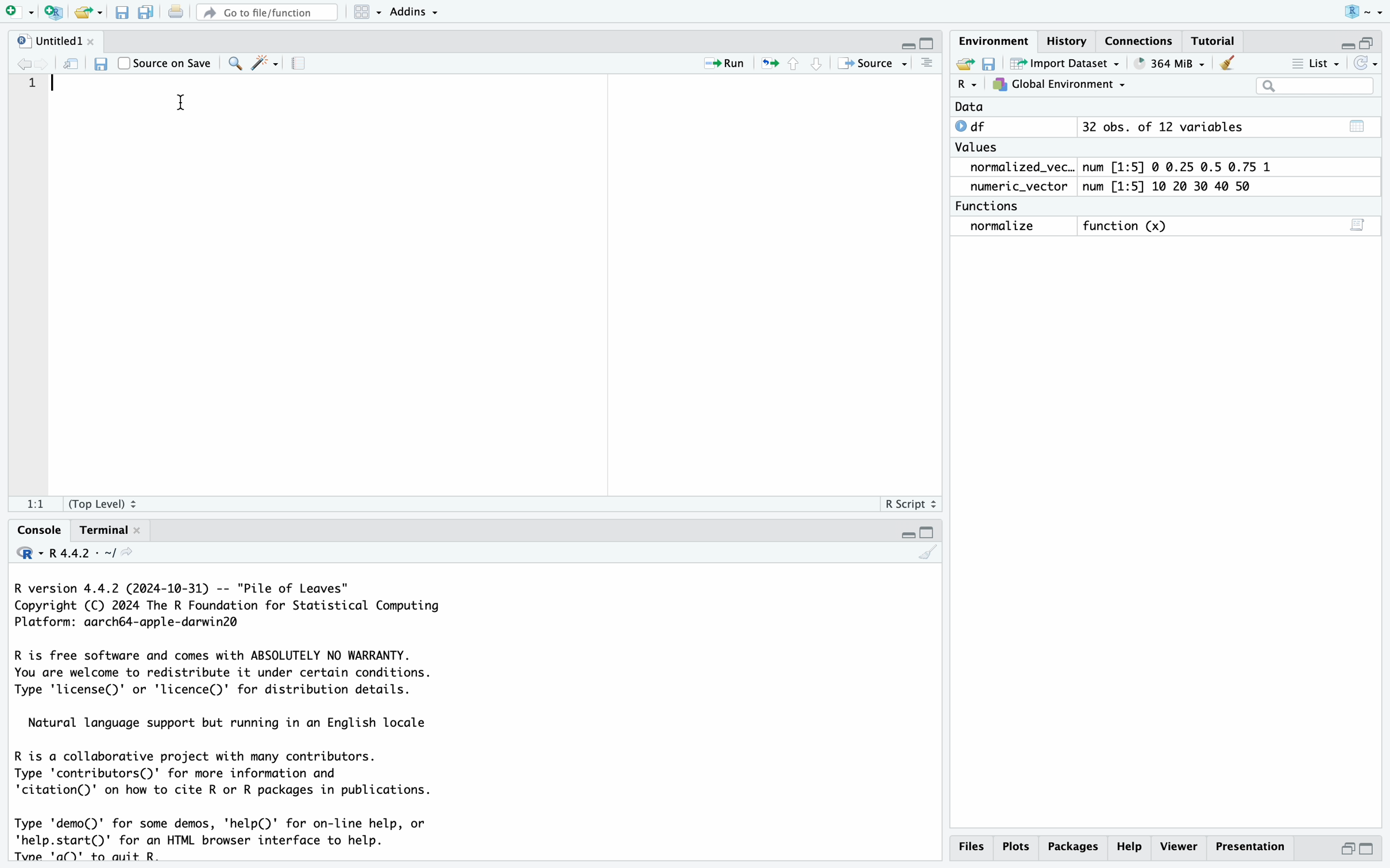 This screenshot has width=1390, height=868. I want to click on Files, so click(970, 846).